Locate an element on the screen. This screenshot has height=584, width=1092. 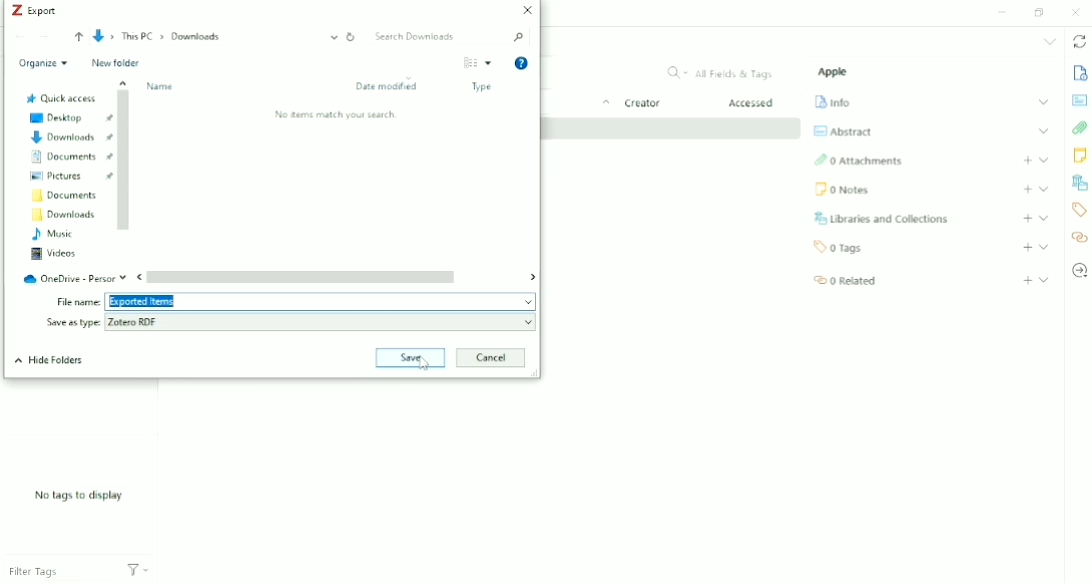
Vertical scrollbar is located at coordinates (125, 161).